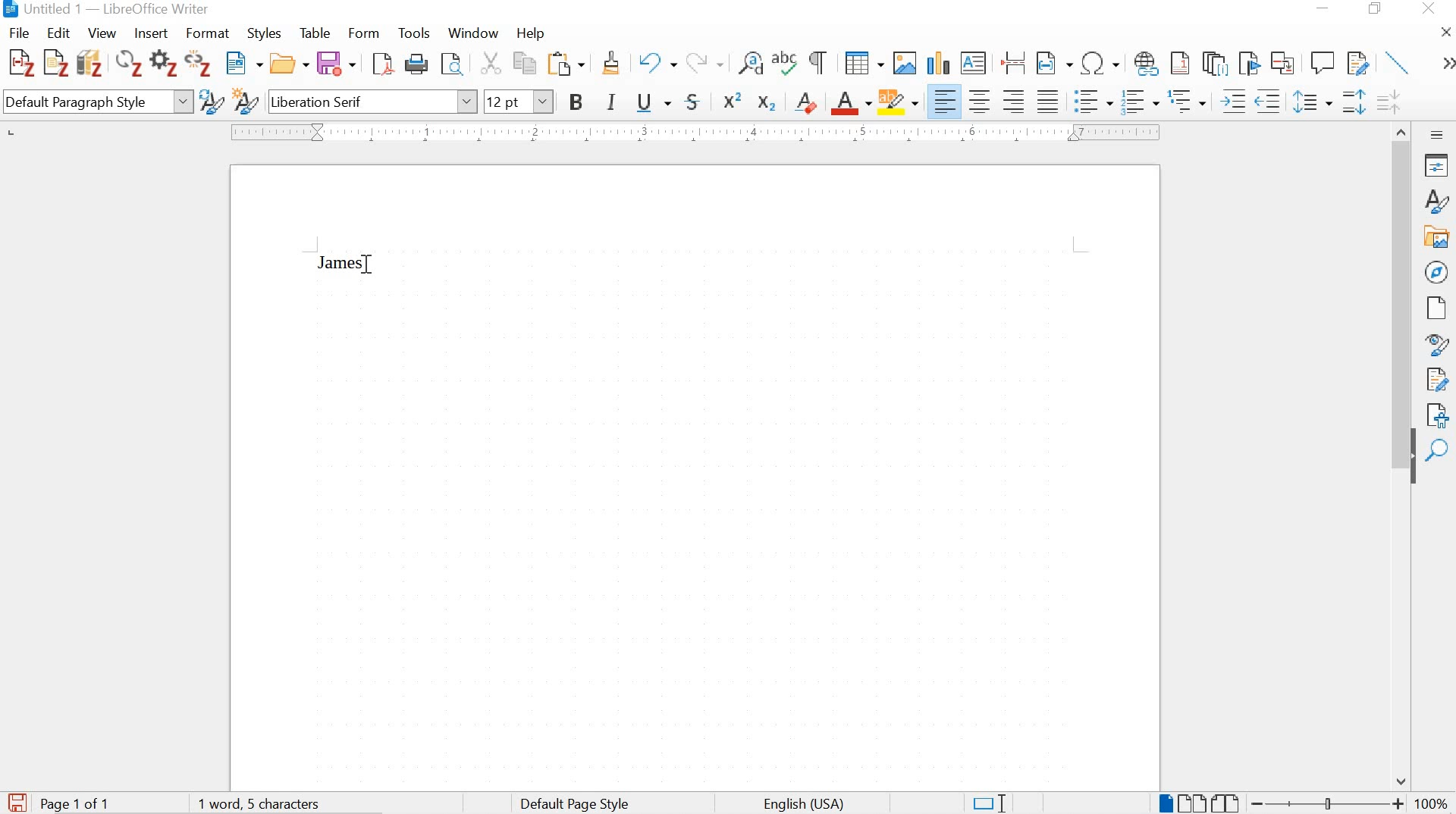  Describe the element at coordinates (1247, 63) in the screenshot. I see `insert bookmark` at that location.